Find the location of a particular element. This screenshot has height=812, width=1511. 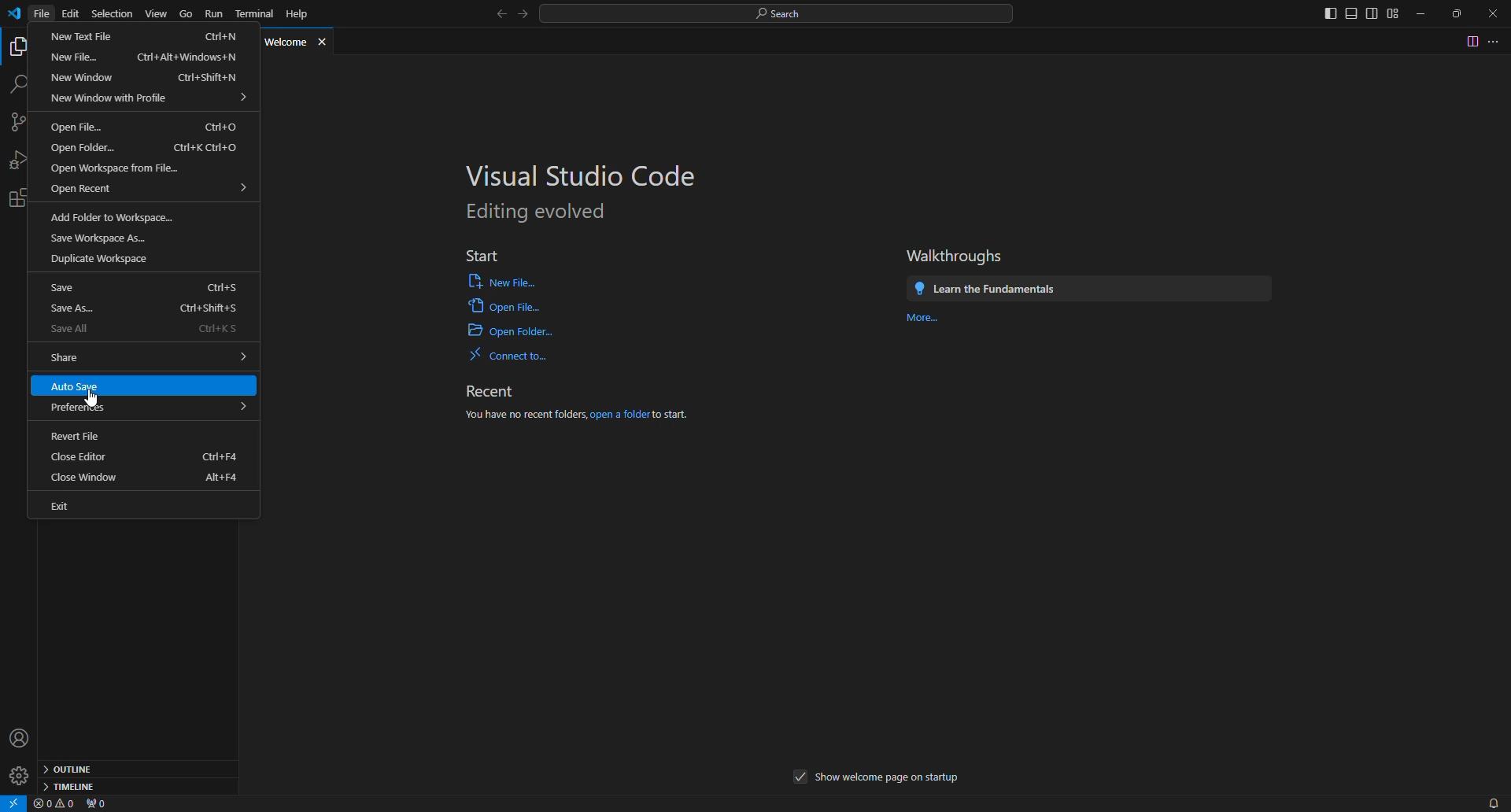

file is located at coordinates (42, 14).